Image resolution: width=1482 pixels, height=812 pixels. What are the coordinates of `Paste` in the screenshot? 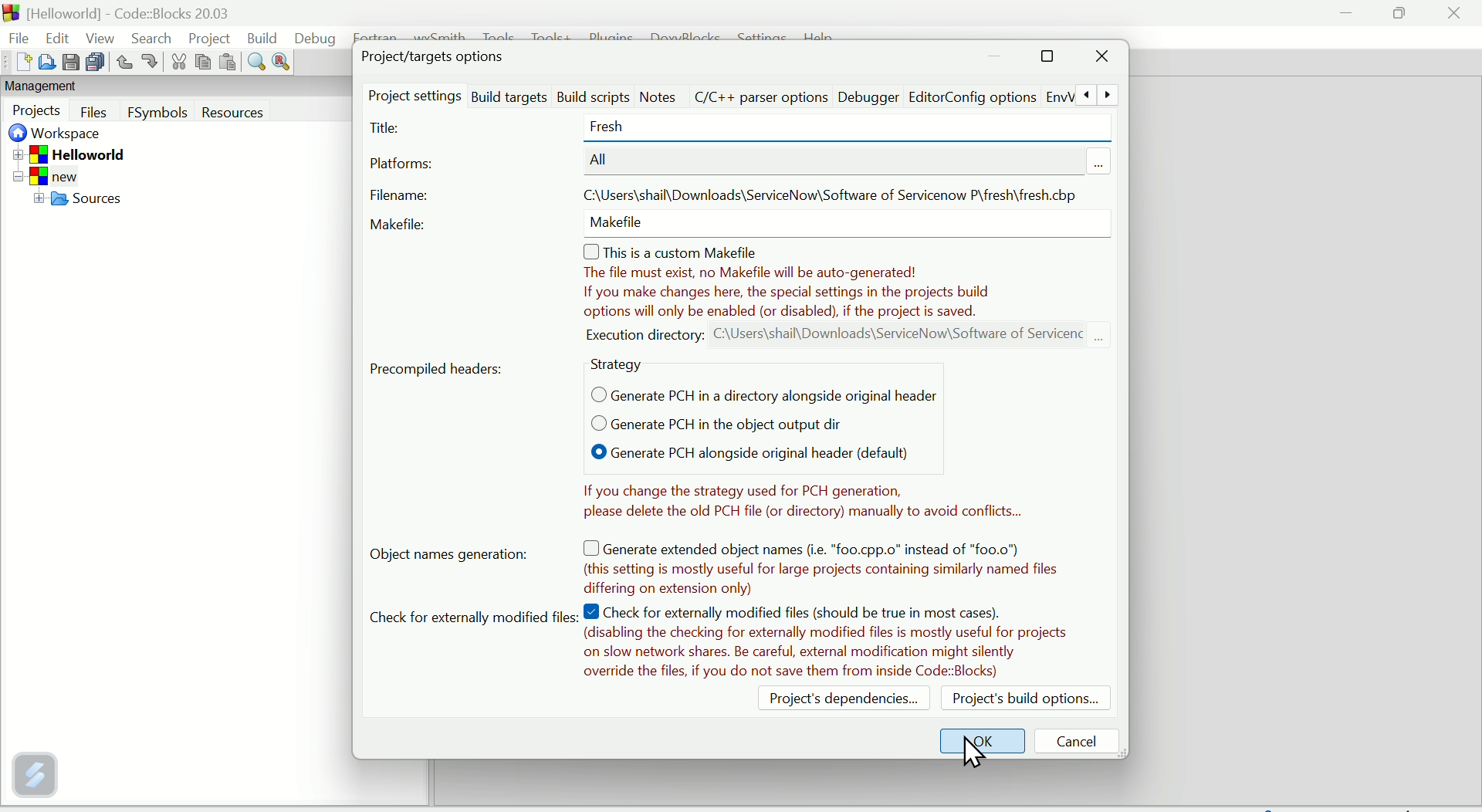 It's located at (226, 63).